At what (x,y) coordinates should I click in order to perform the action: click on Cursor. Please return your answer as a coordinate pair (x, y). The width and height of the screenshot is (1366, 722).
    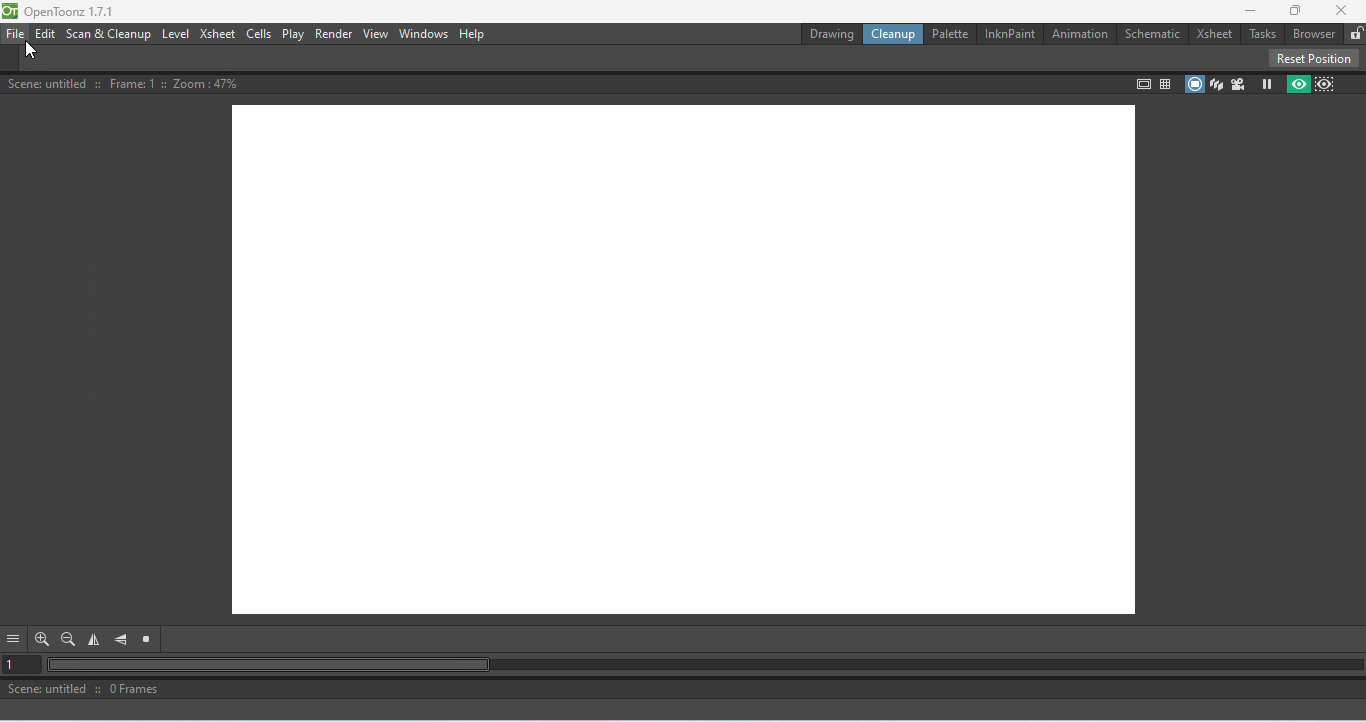
    Looking at the image, I should click on (31, 53).